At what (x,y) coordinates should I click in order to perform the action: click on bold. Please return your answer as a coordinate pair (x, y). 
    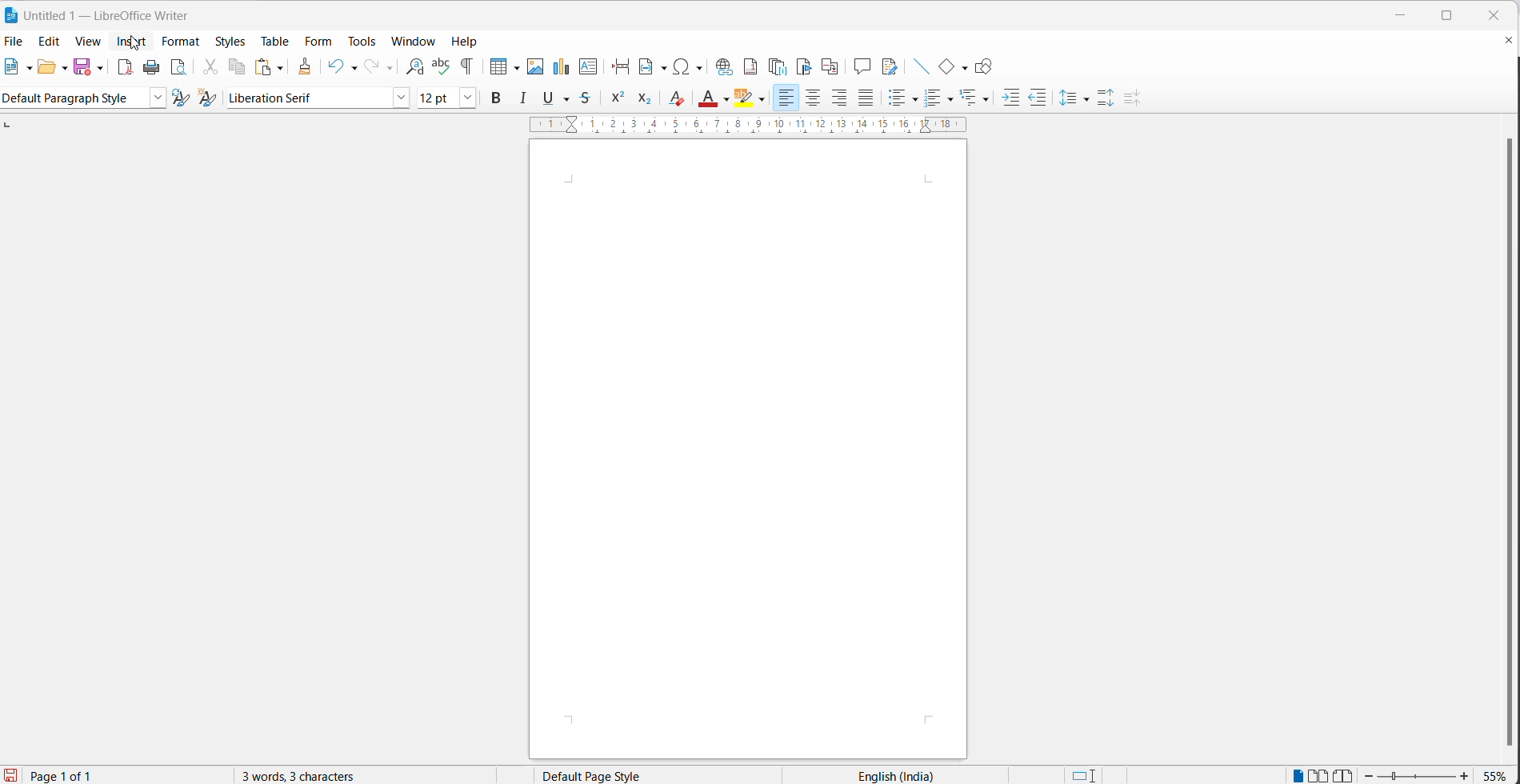
    Looking at the image, I should click on (499, 98).